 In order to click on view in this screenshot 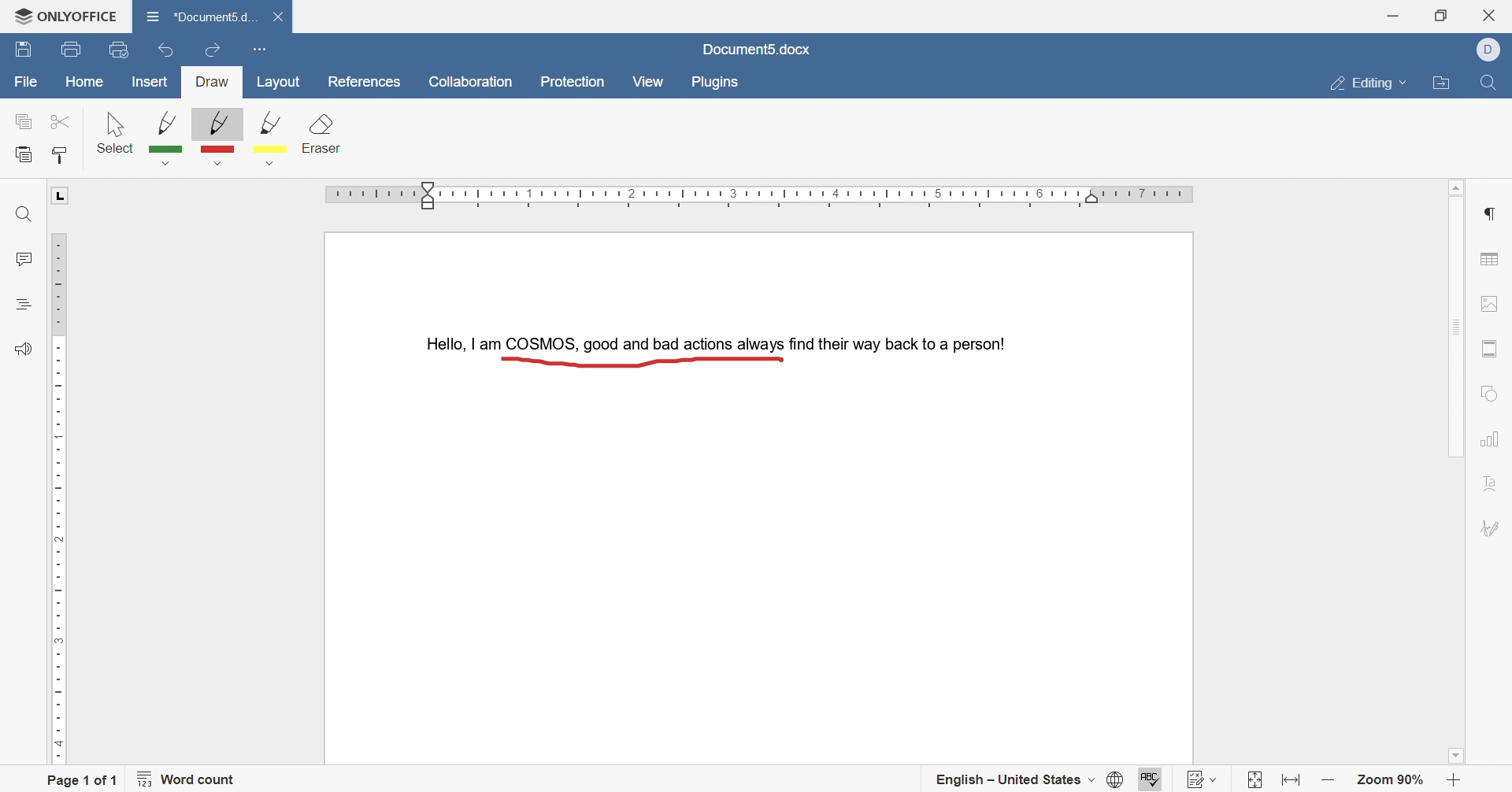, I will do `click(647, 81)`.